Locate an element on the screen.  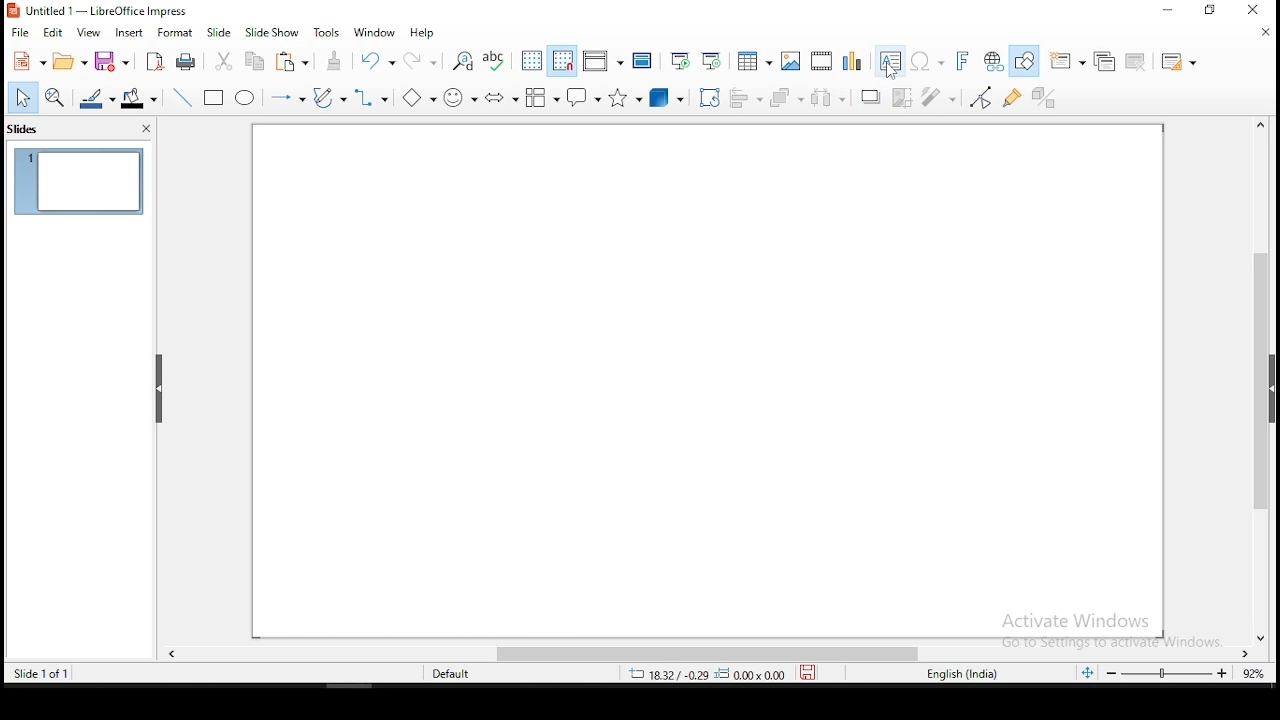
shadow is located at coordinates (871, 96).